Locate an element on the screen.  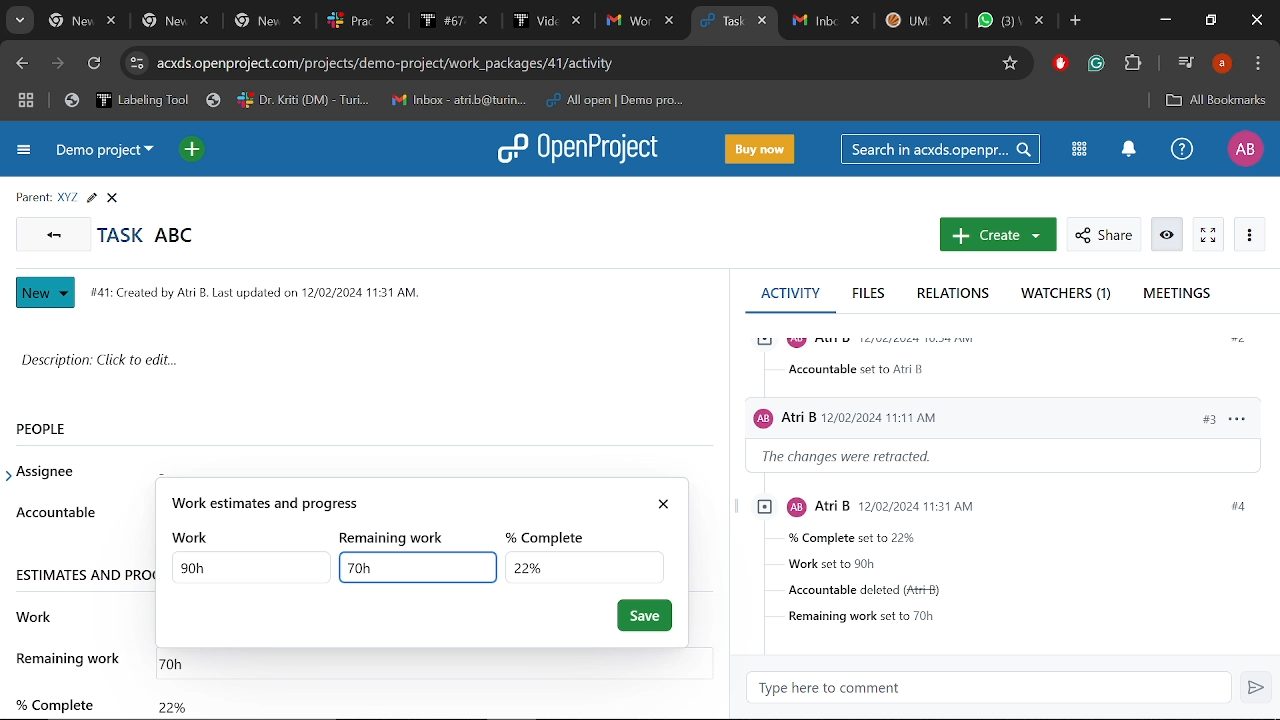
People is located at coordinates (63, 428).